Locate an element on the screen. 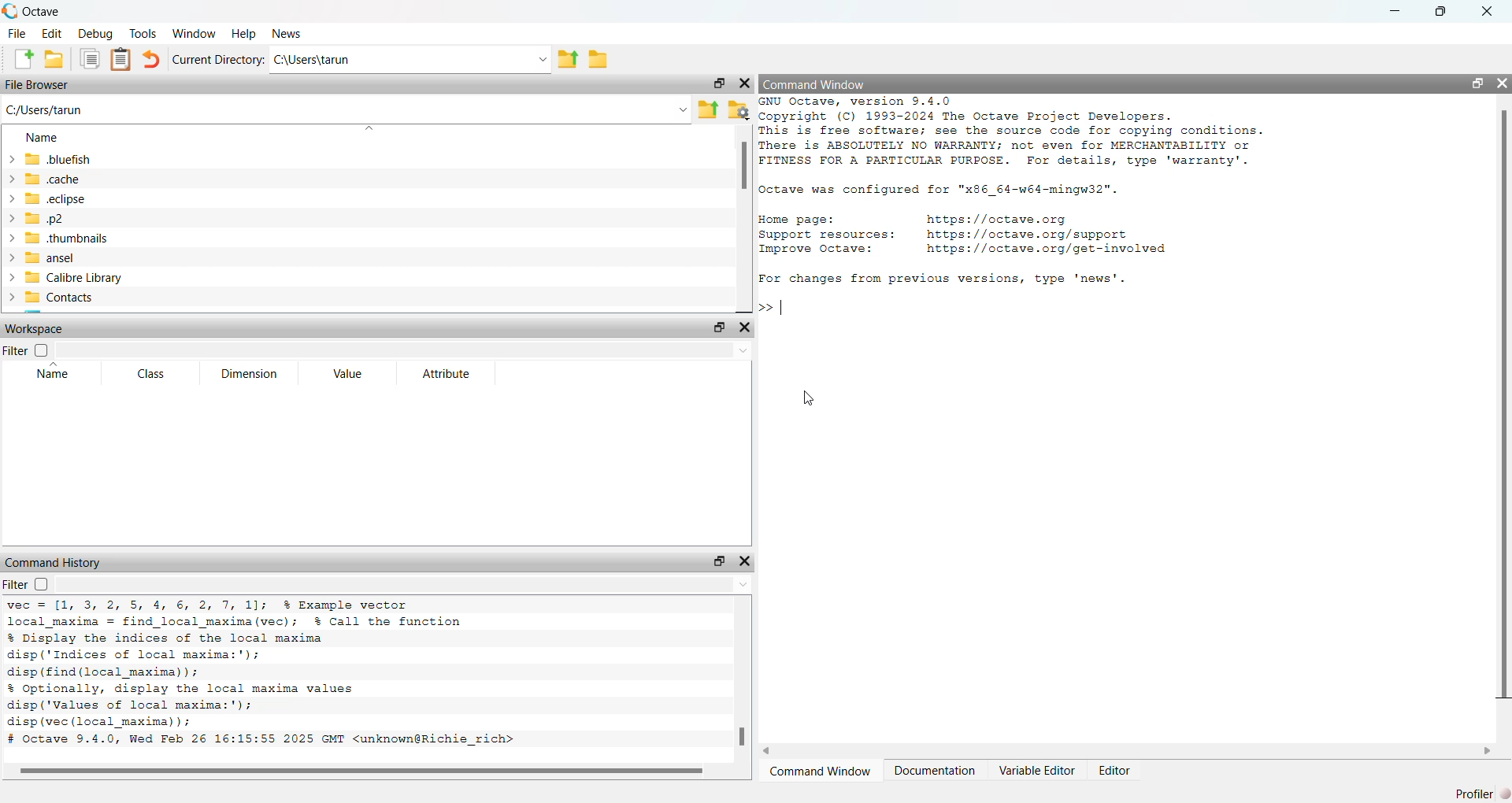  .cache is located at coordinates (57, 178).